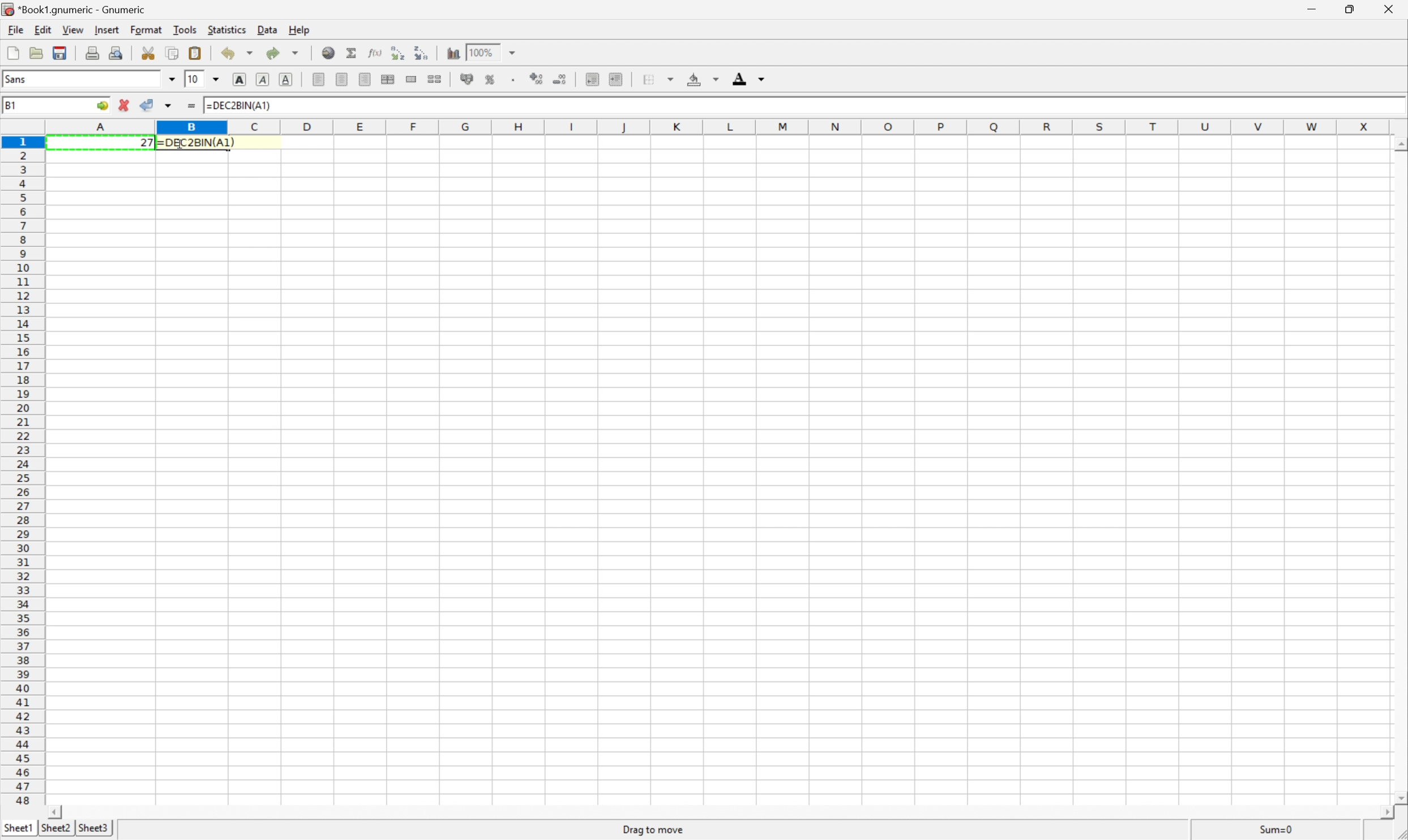 This screenshot has width=1408, height=840. I want to click on Insert a chart, so click(452, 52).